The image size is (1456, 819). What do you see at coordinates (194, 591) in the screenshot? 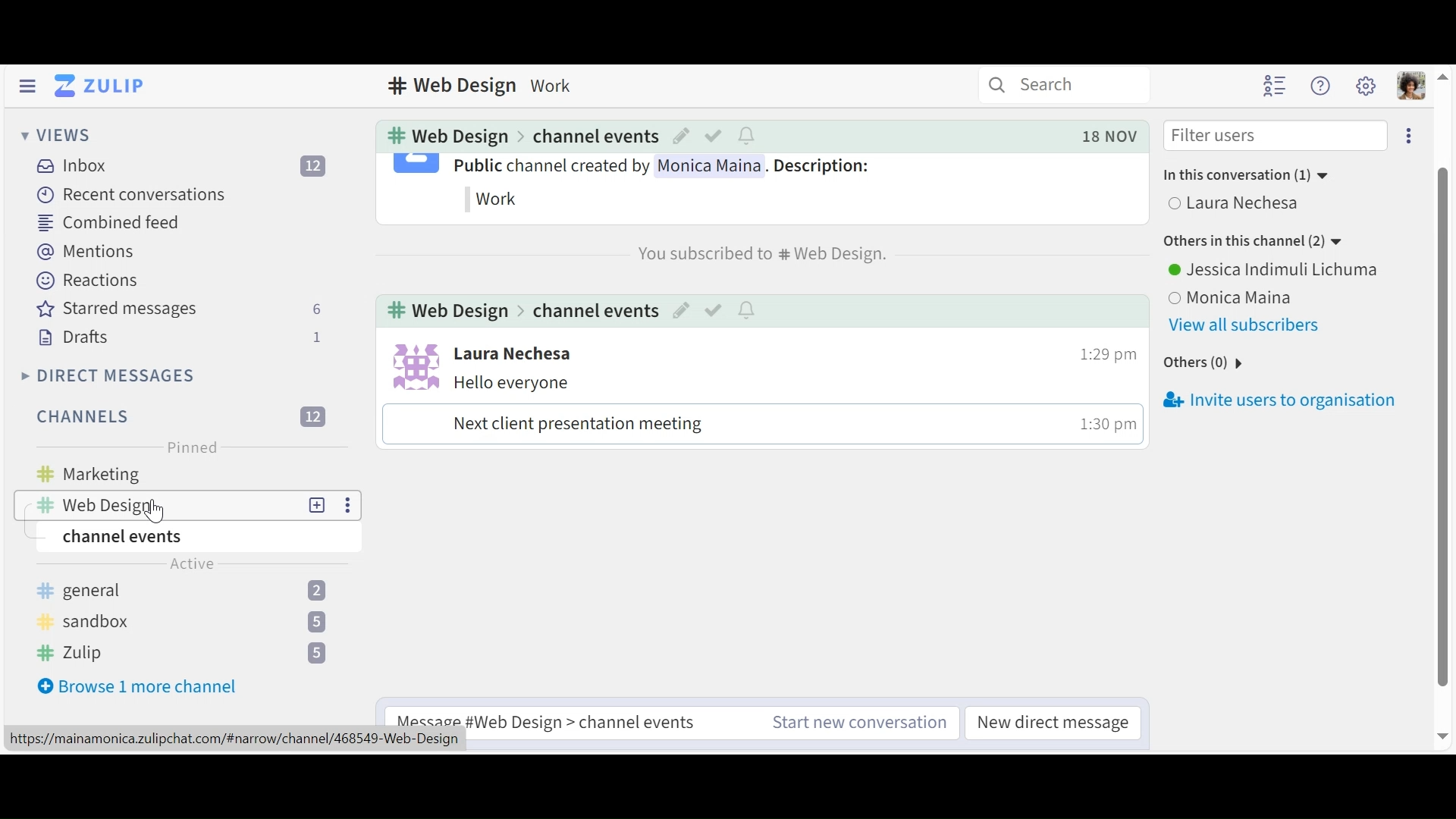
I see `general` at bounding box center [194, 591].